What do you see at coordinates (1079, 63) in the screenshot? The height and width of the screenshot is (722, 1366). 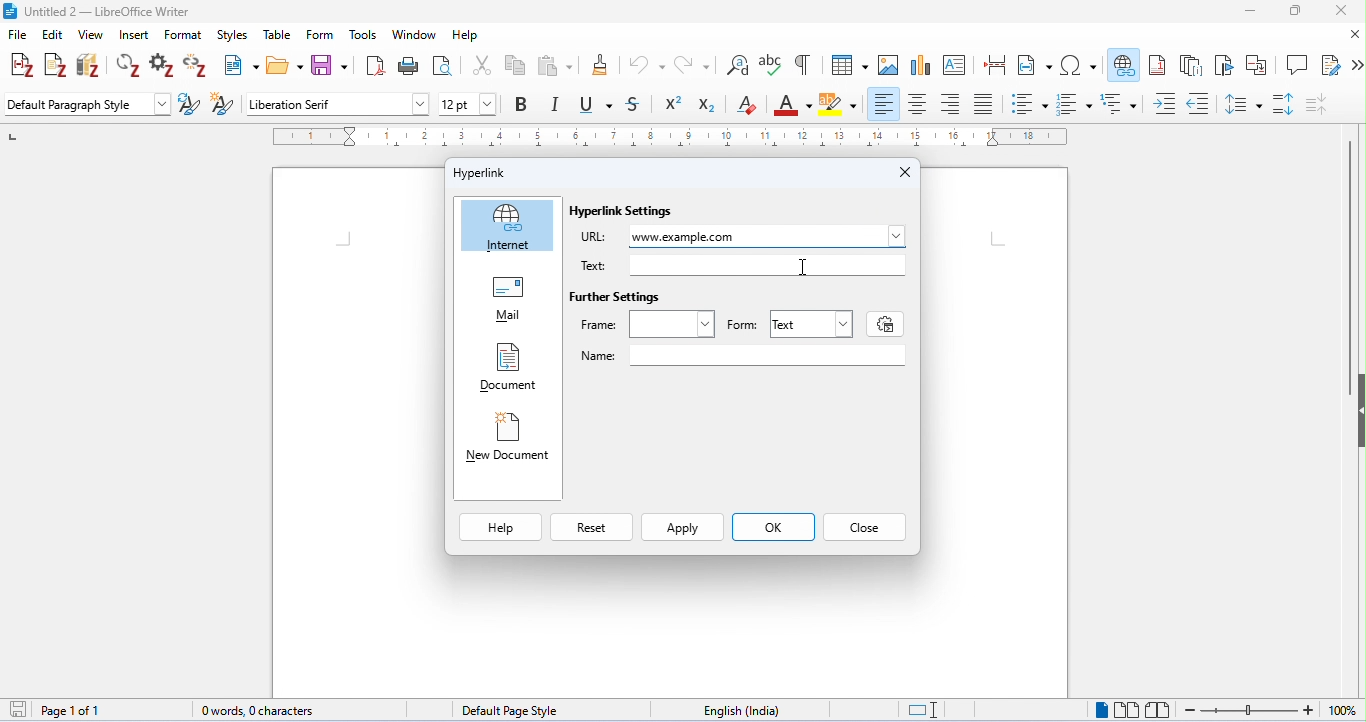 I see `insert special characters` at bounding box center [1079, 63].